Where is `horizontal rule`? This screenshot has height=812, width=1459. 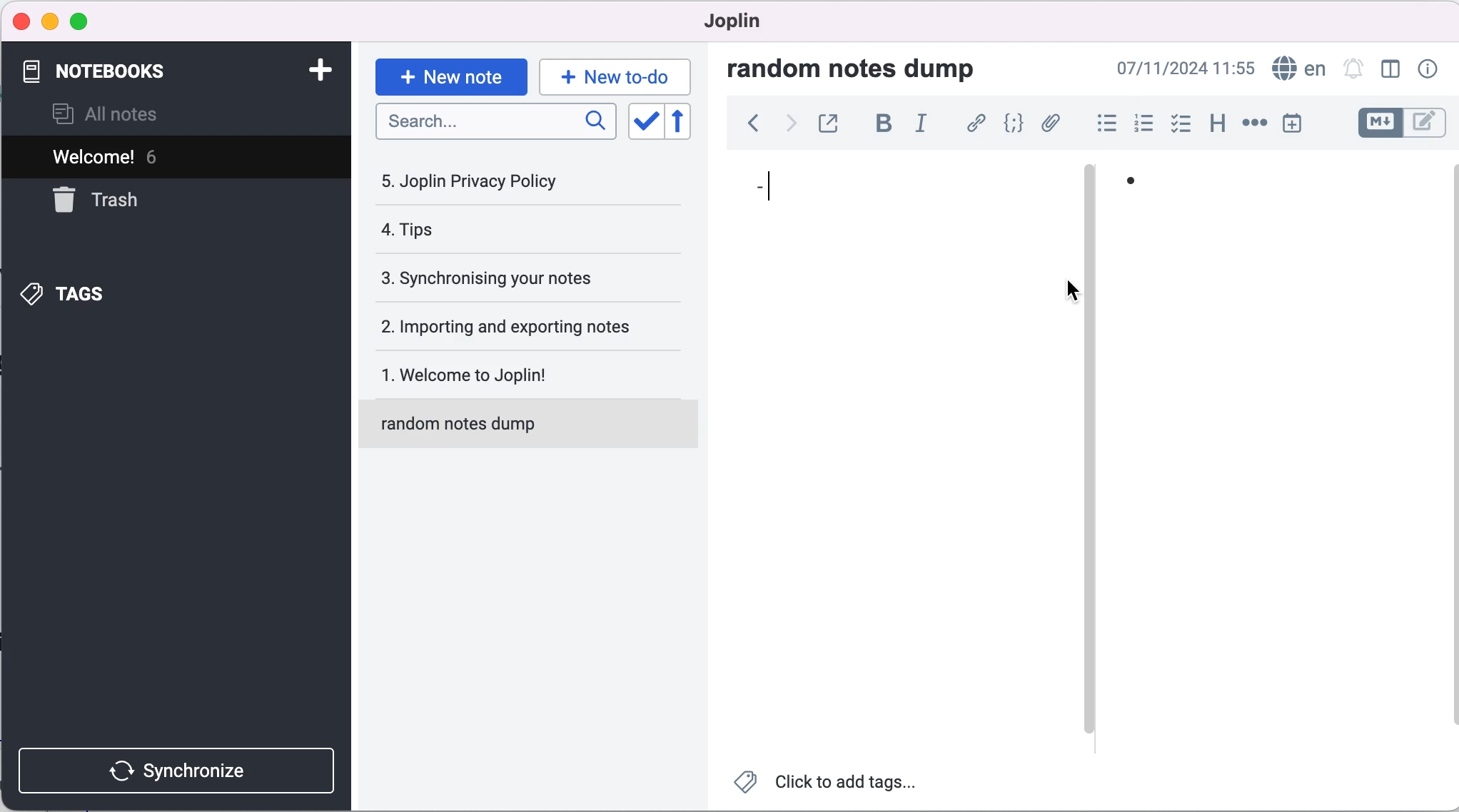
horizontal rule is located at coordinates (1254, 123).